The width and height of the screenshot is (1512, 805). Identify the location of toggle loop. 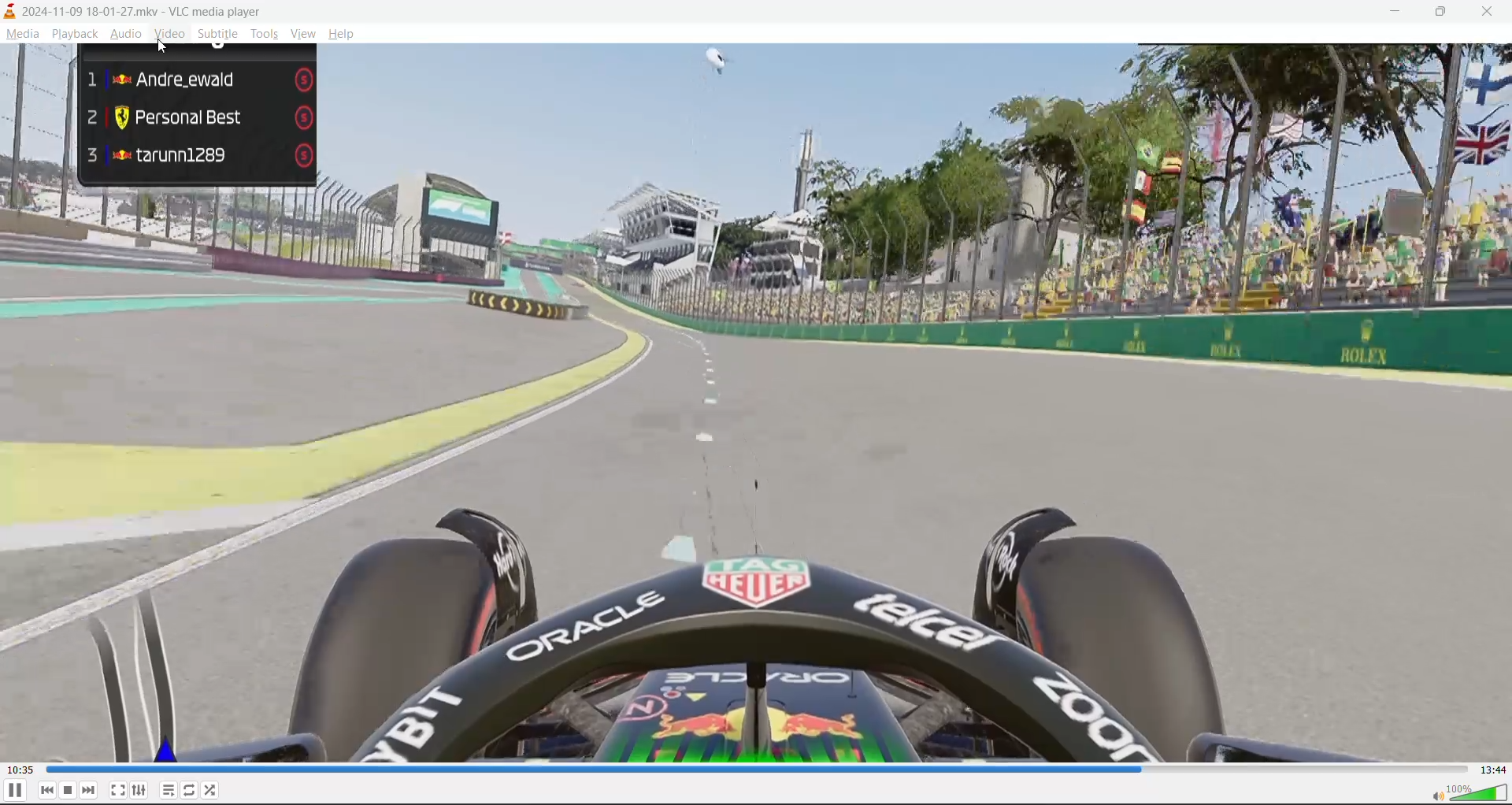
(191, 791).